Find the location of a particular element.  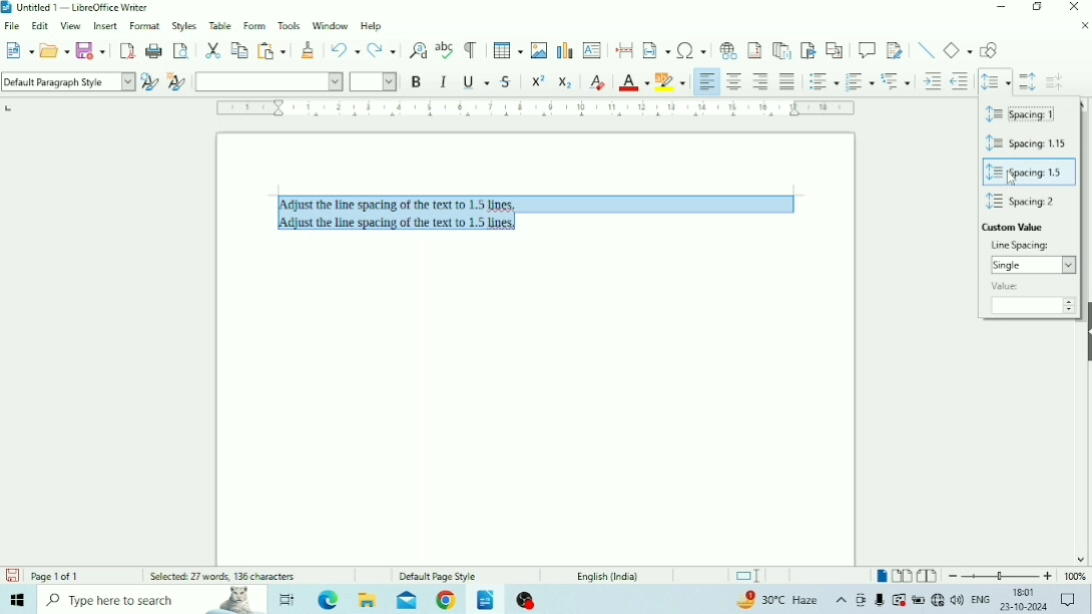

Close Document is located at coordinates (1083, 26).